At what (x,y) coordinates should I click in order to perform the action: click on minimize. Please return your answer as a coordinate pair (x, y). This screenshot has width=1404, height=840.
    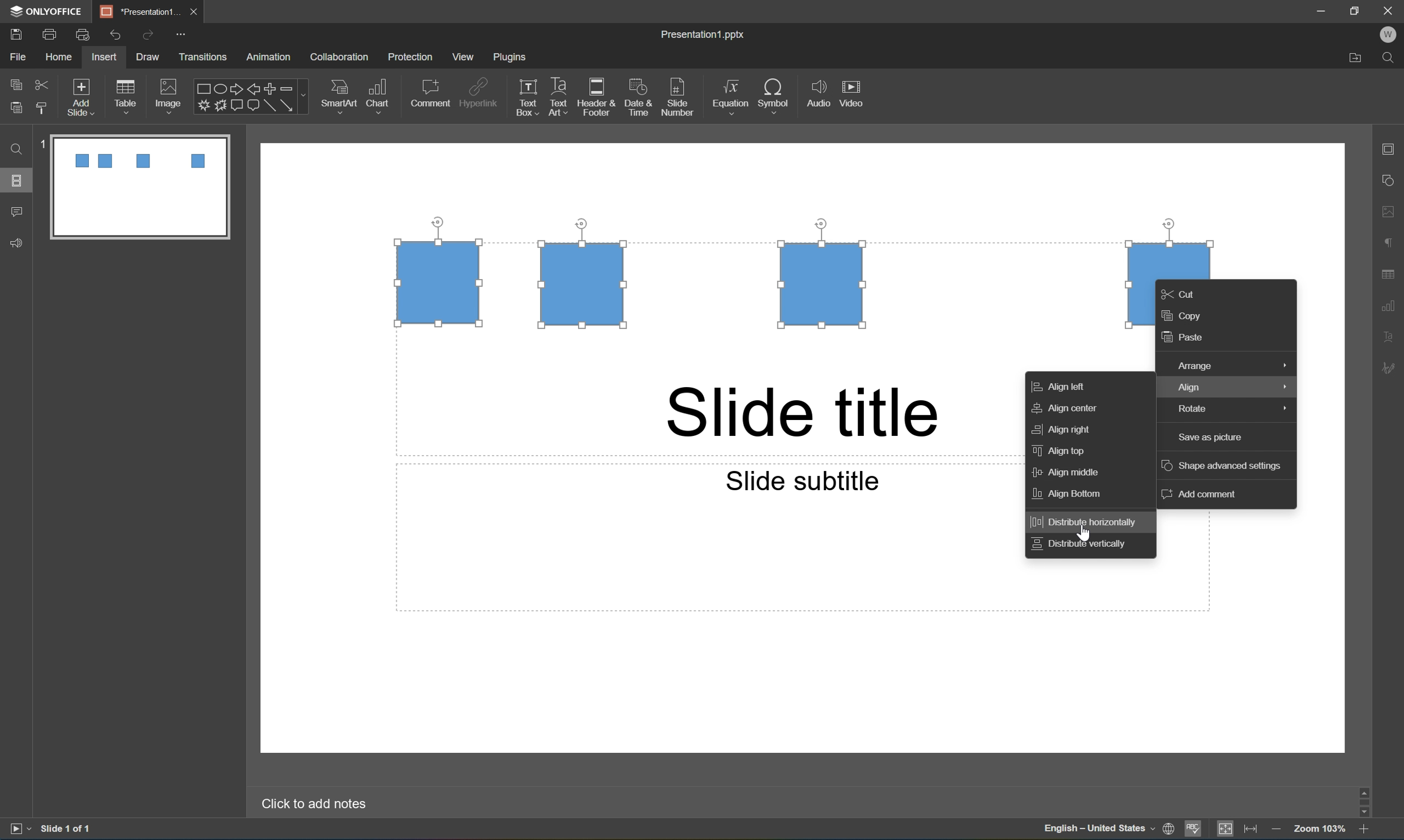
    Looking at the image, I should click on (1320, 9).